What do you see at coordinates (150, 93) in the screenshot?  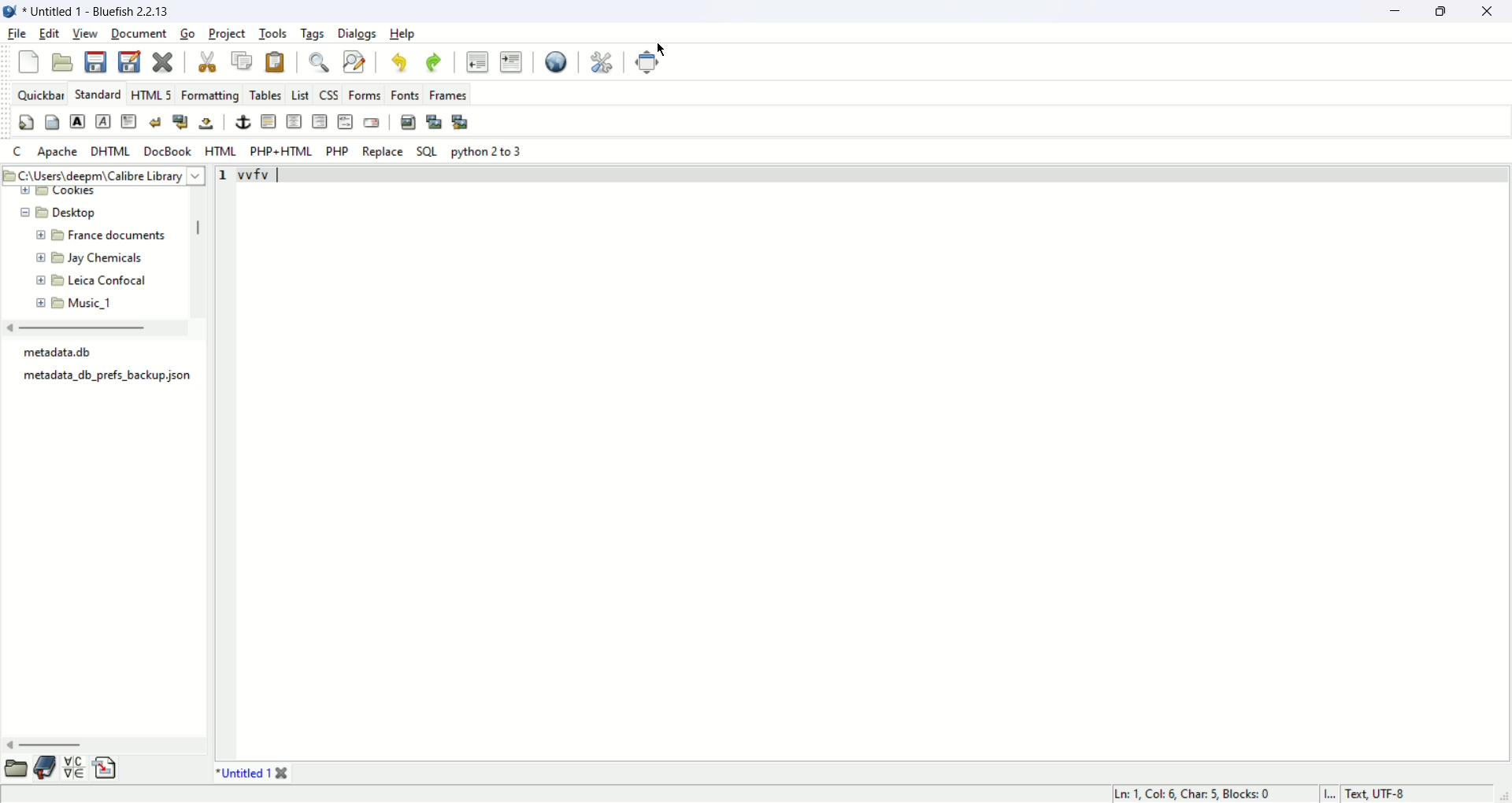 I see `HTML 5` at bounding box center [150, 93].